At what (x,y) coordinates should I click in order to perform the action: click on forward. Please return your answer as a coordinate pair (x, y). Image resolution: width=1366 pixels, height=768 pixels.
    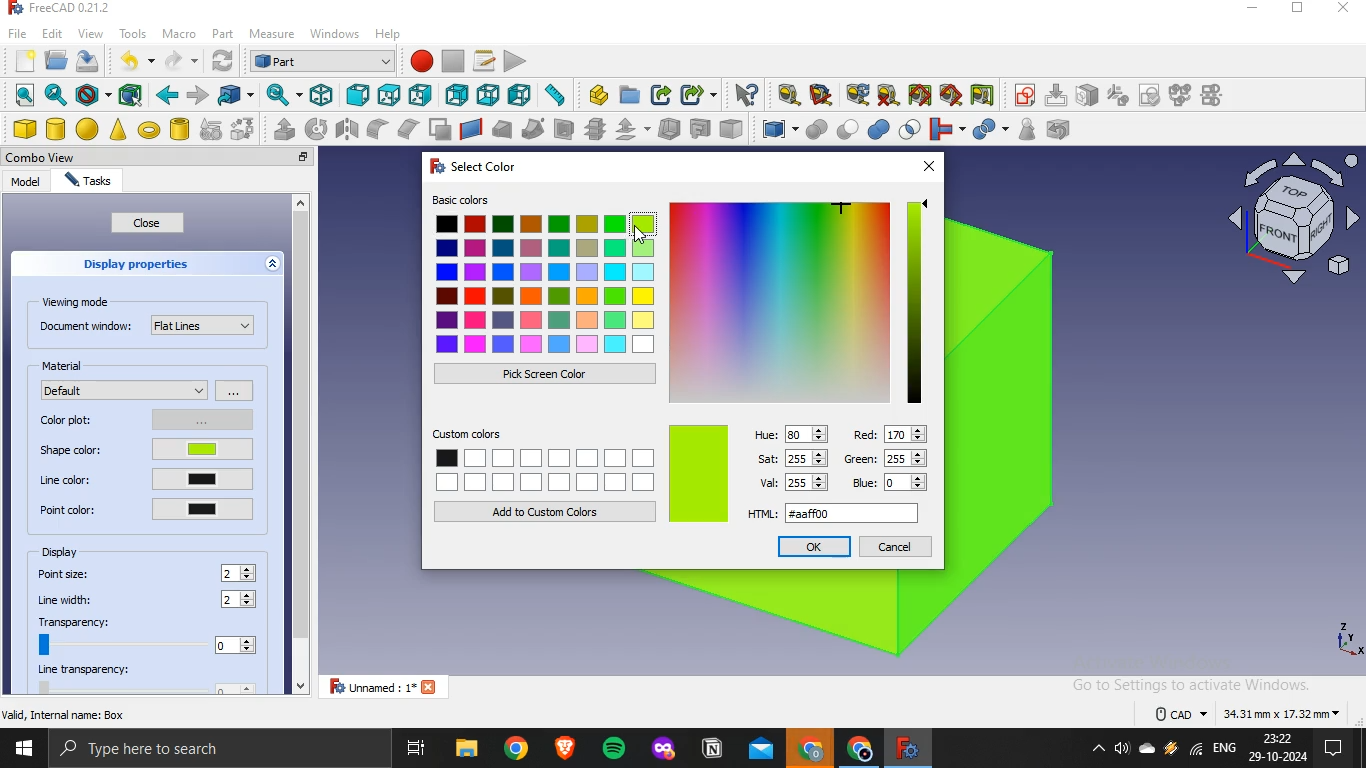
    Looking at the image, I should click on (198, 95).